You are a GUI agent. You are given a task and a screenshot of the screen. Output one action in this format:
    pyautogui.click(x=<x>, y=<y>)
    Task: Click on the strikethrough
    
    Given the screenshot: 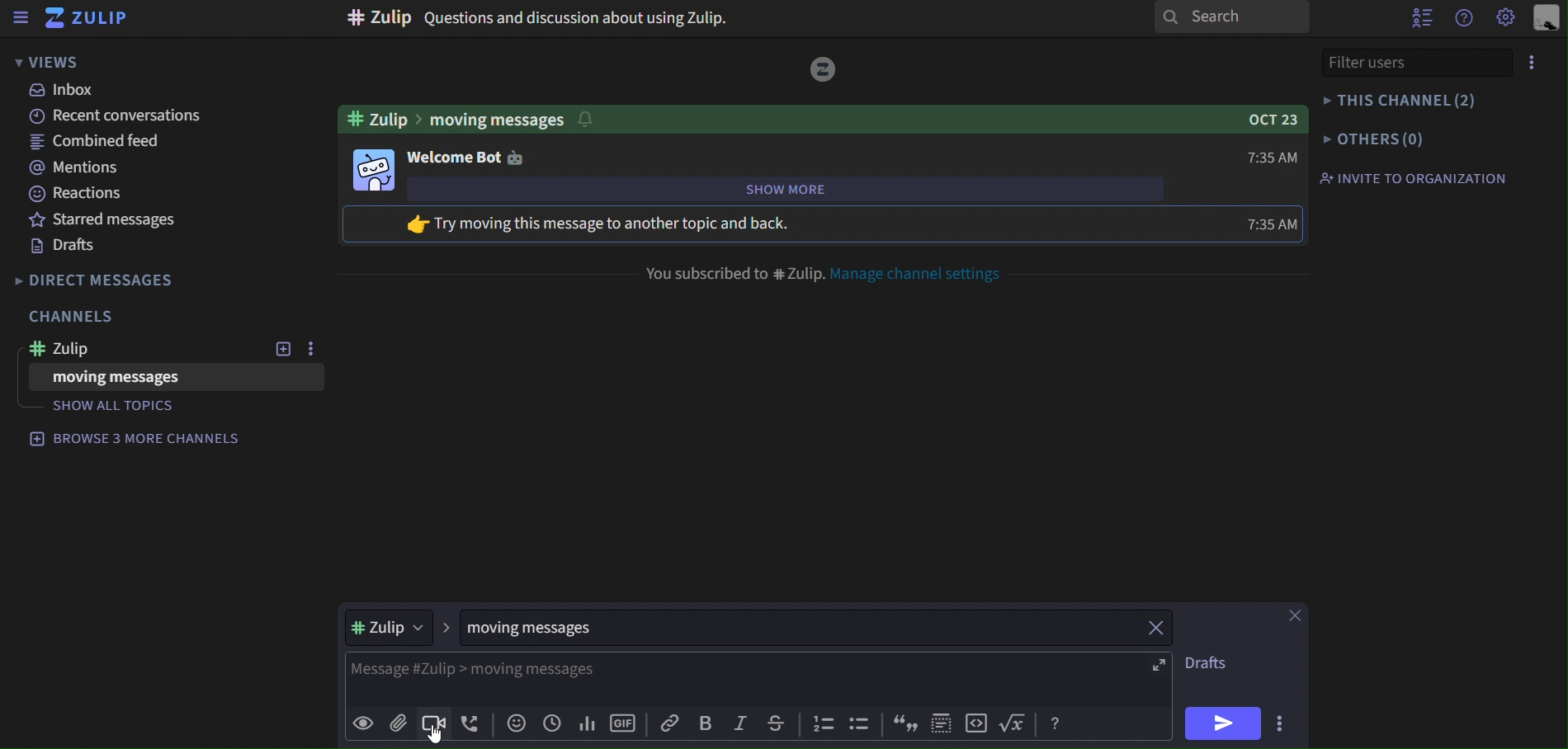 What is the action you would take?
    pyautogui.click(x=776, y=726)
    